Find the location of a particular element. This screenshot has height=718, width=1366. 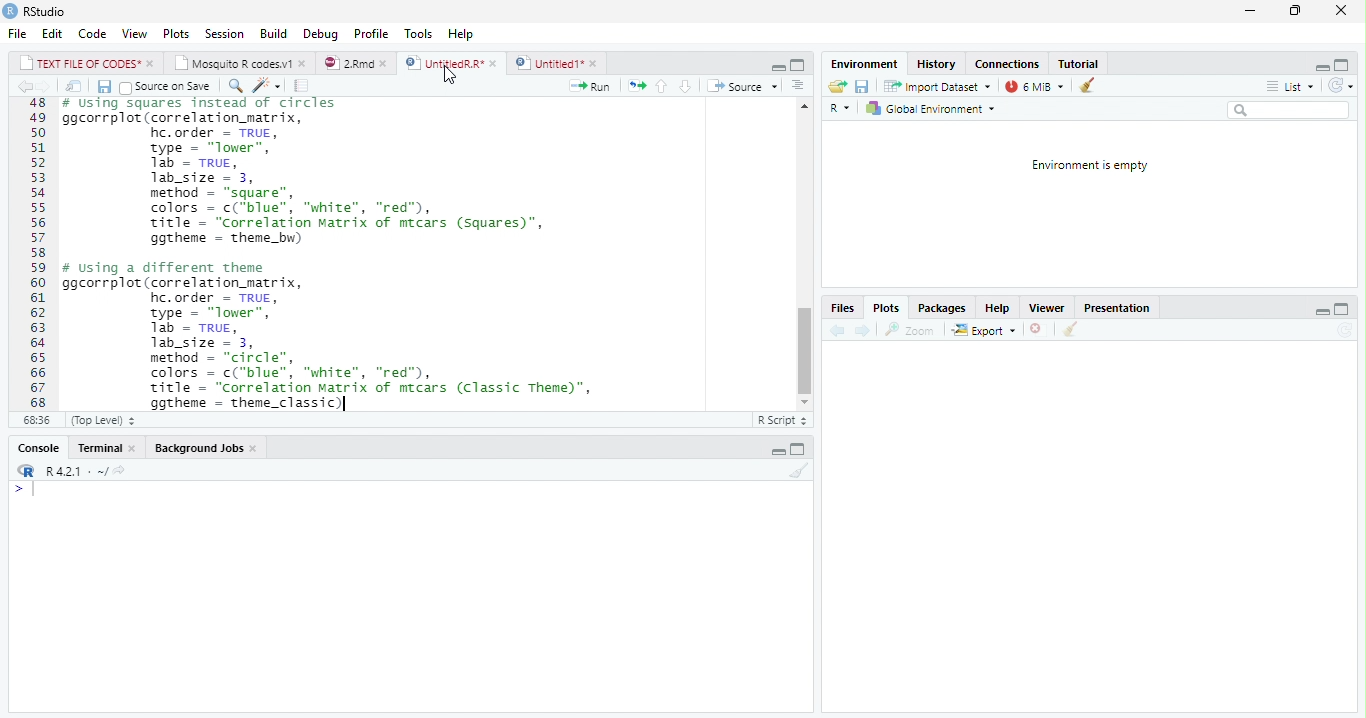

re run the previous code is located at coordinates (635, 84).